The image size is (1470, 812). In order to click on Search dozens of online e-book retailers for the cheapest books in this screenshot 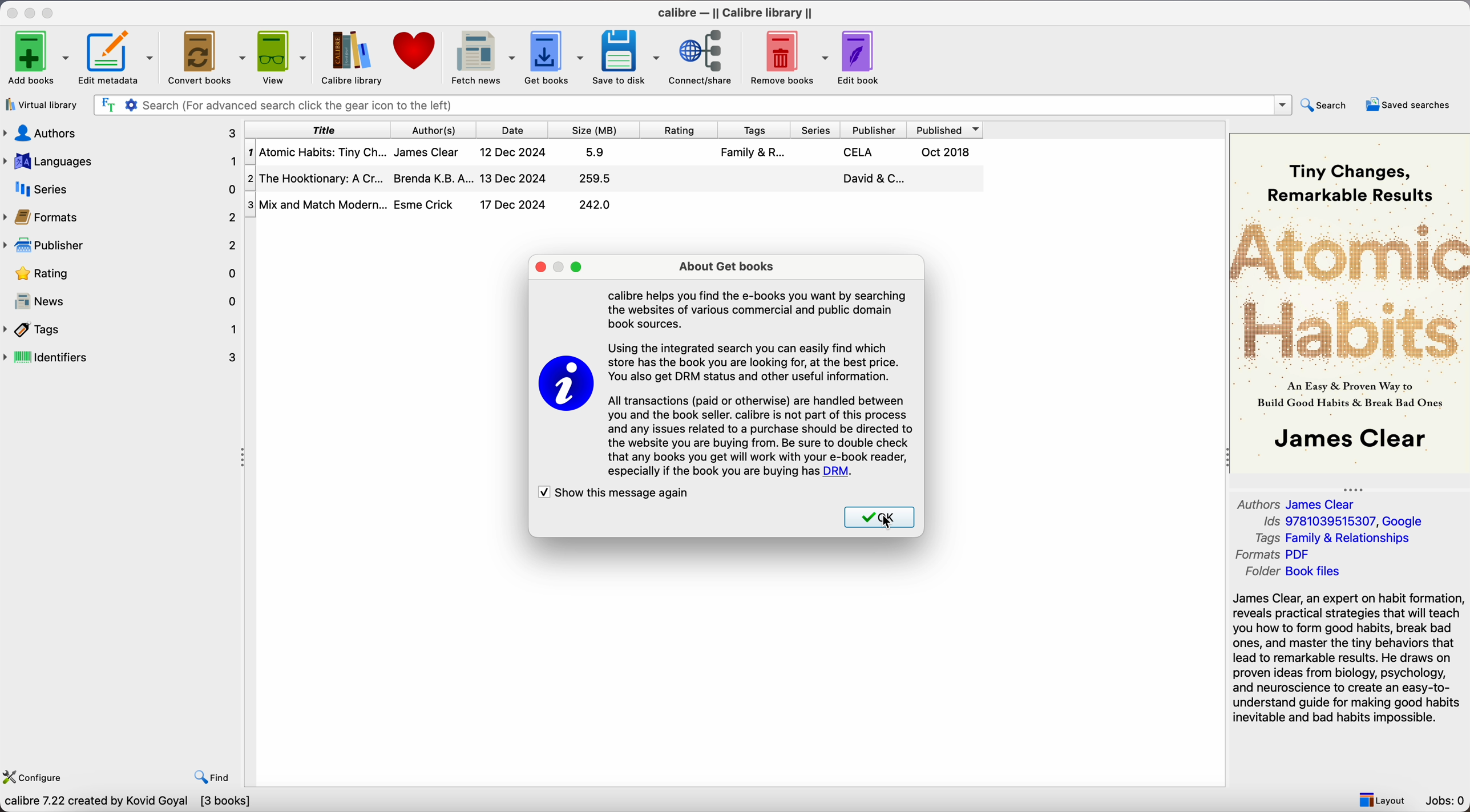, I will do `click(172, 803)`.